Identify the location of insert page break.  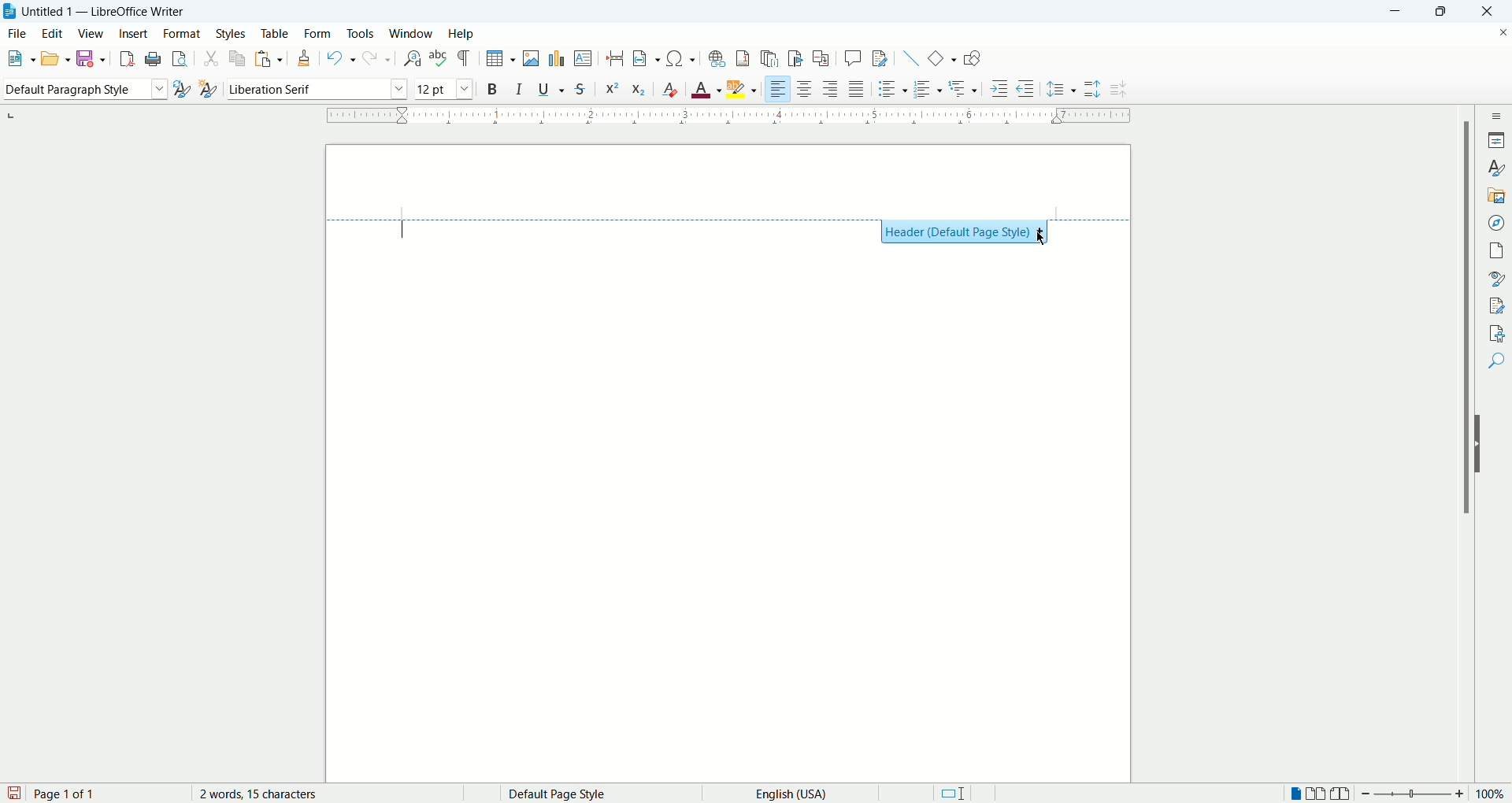
(615, 57).